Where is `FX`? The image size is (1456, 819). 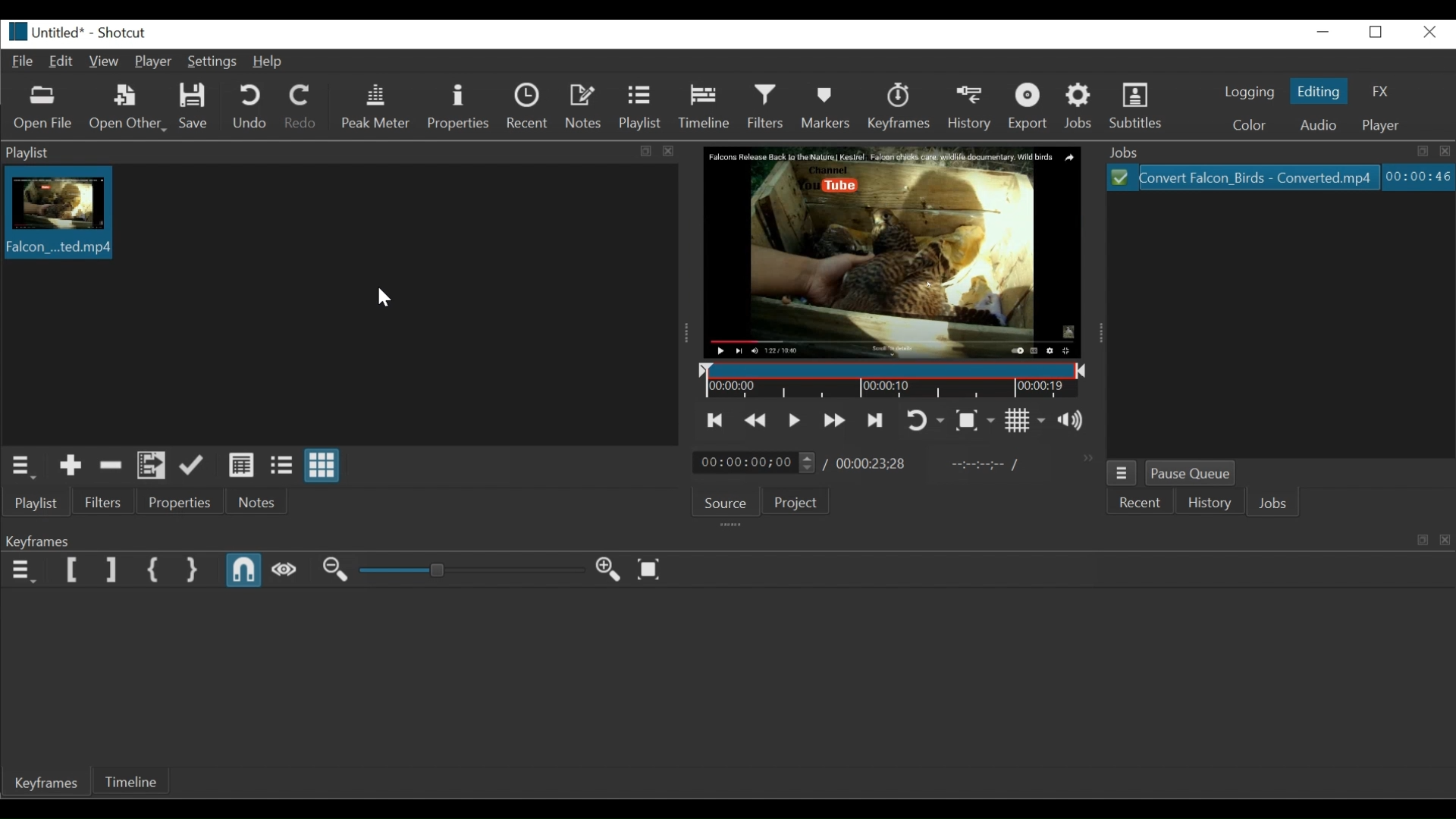 FX is located at coordinates (1378, 91).